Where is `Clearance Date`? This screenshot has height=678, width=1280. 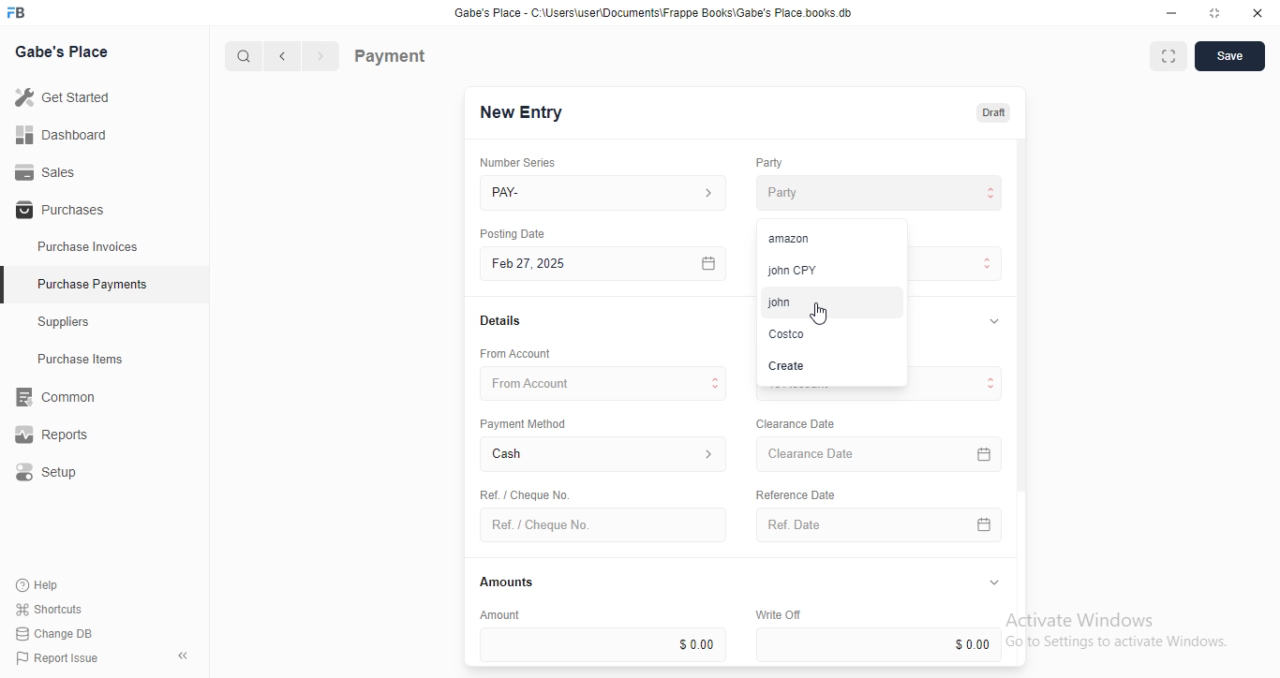 Clearance Date is located at coordinates (882, 455).